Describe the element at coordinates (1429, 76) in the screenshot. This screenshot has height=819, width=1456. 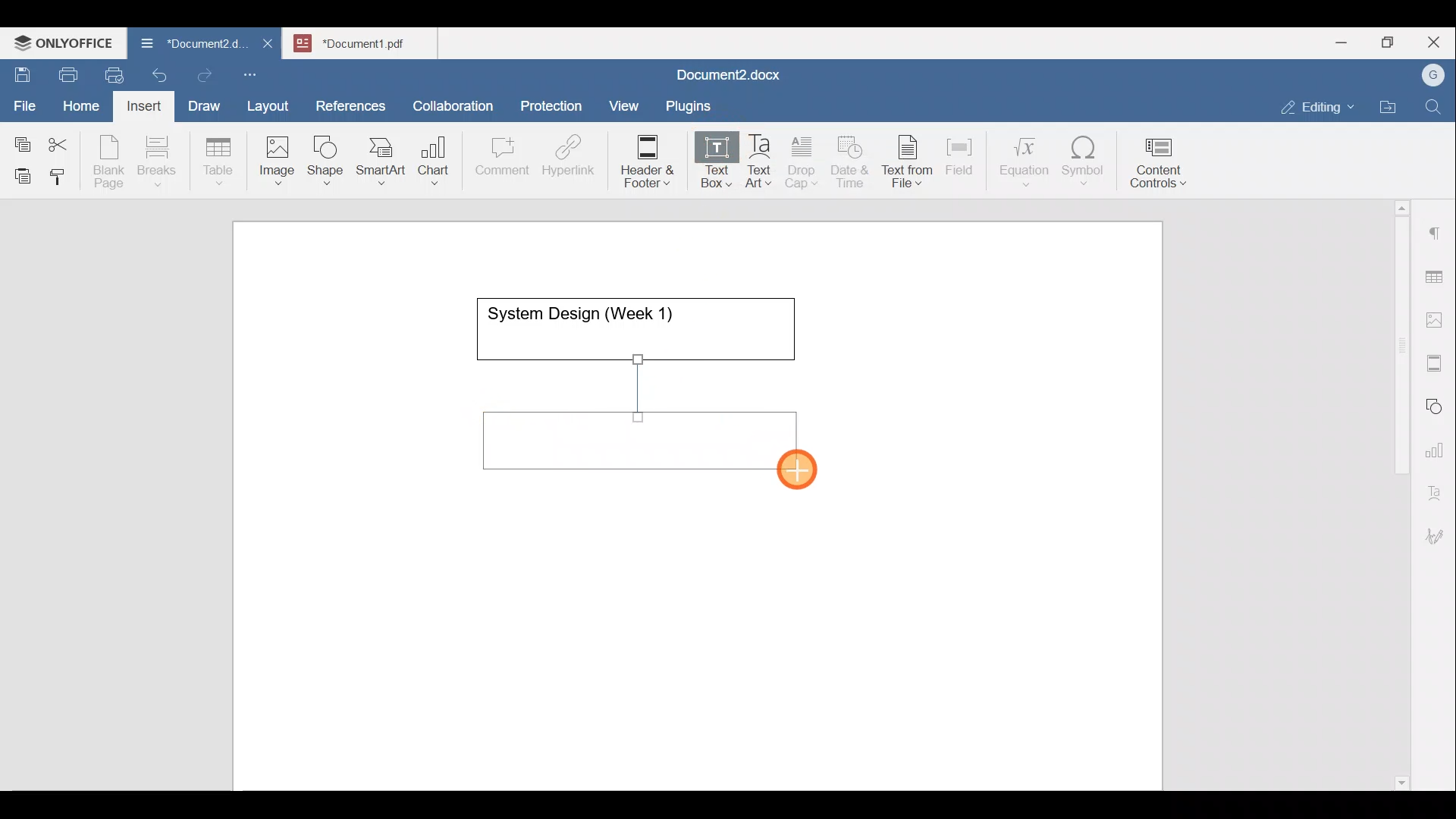
I see `Account name` at that location.